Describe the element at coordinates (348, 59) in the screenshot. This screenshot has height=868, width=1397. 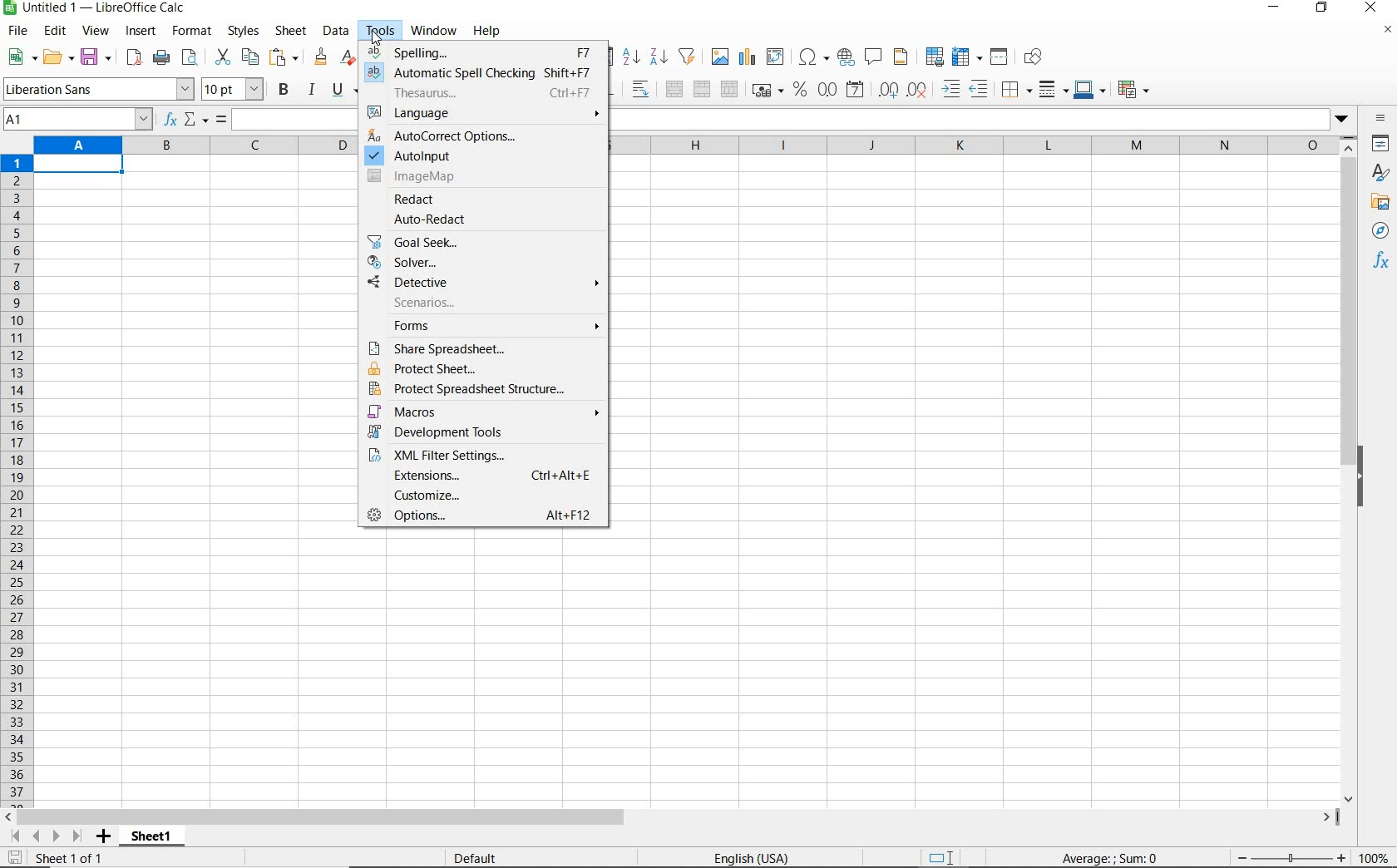
I see `clear direct formatting` at that location.